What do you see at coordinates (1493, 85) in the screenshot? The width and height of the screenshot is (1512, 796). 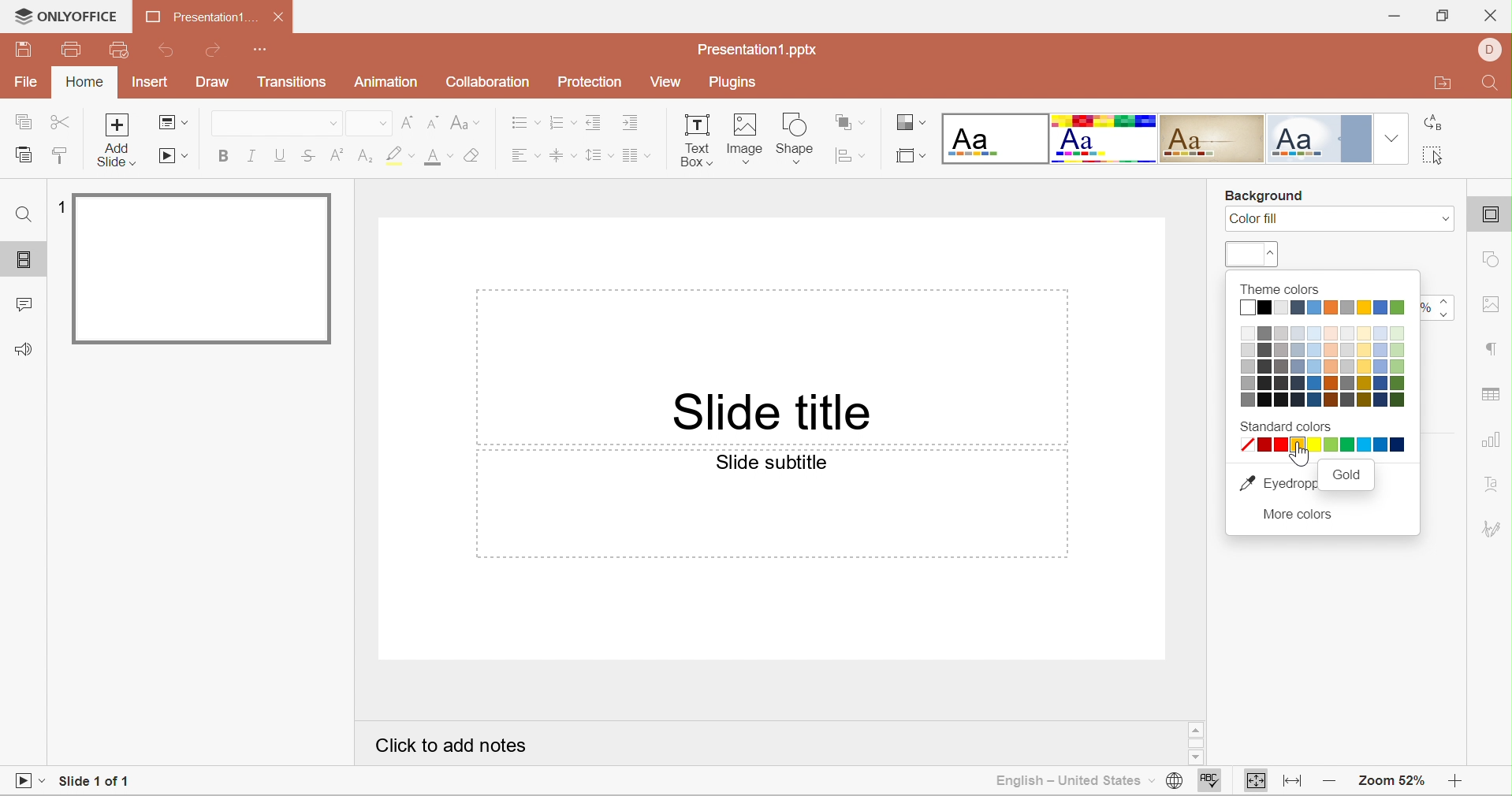 I see `Find` at bounding box center [1493, 85].